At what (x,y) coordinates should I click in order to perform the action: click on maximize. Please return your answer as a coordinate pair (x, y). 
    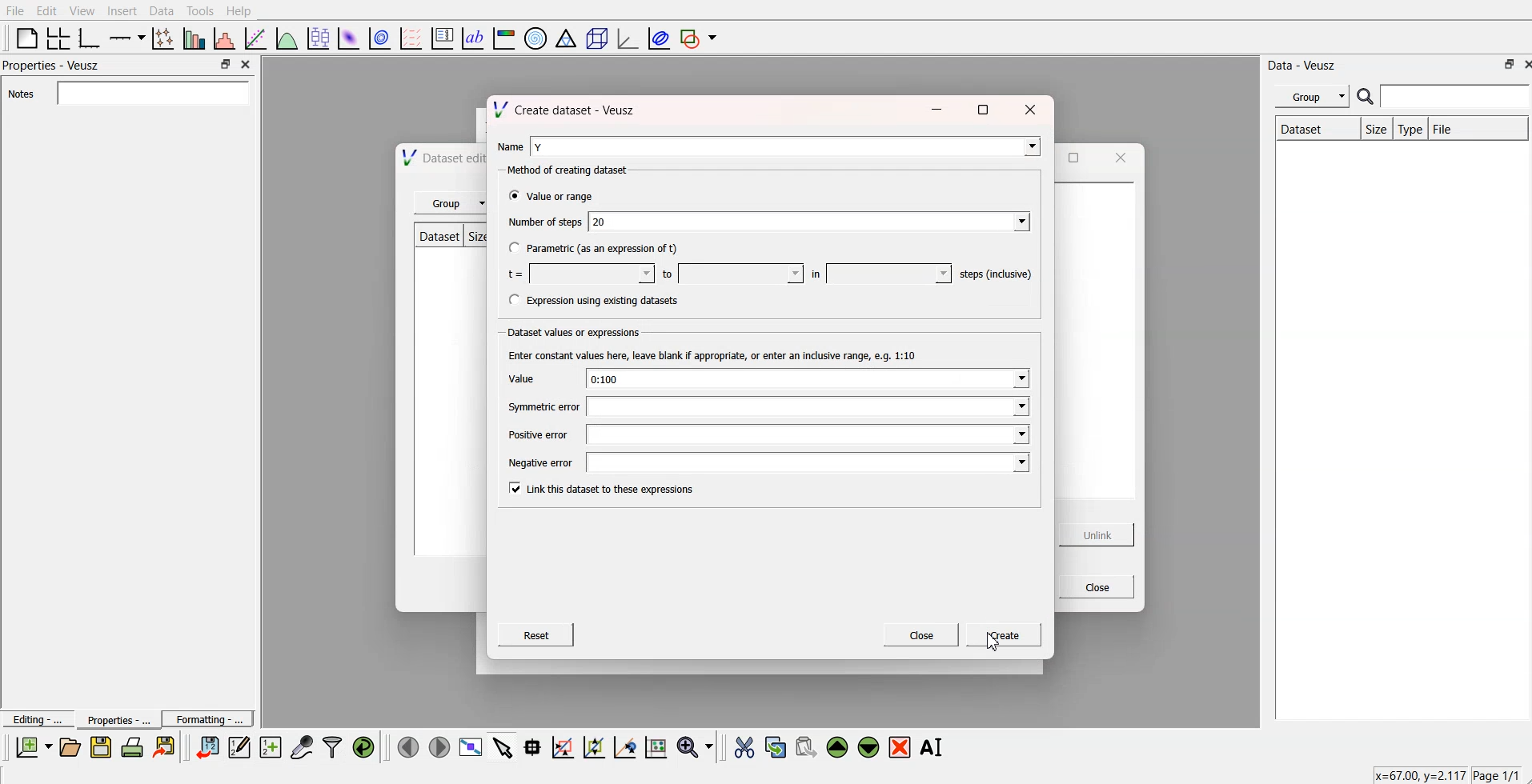
    Looking at the image, I should click on (1077, 159).